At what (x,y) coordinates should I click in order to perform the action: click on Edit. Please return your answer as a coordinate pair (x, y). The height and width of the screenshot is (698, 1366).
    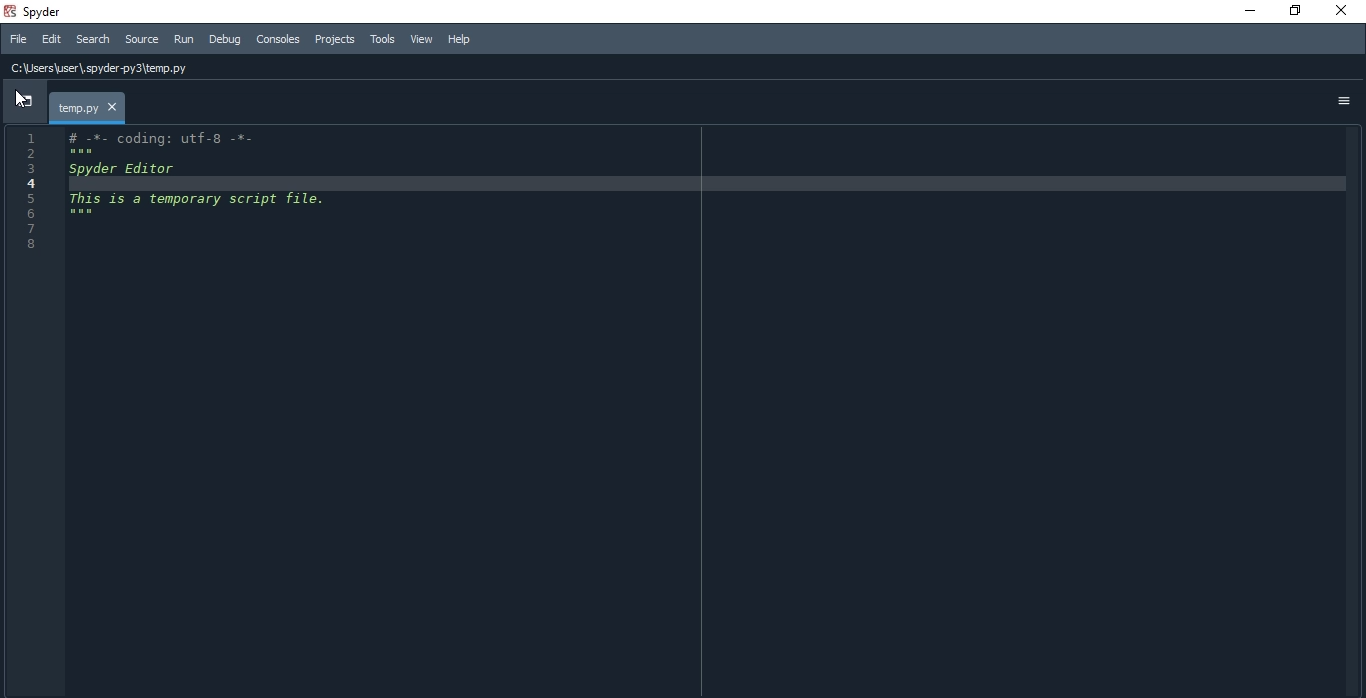
    Looking at the image, I should click on (53, 39).